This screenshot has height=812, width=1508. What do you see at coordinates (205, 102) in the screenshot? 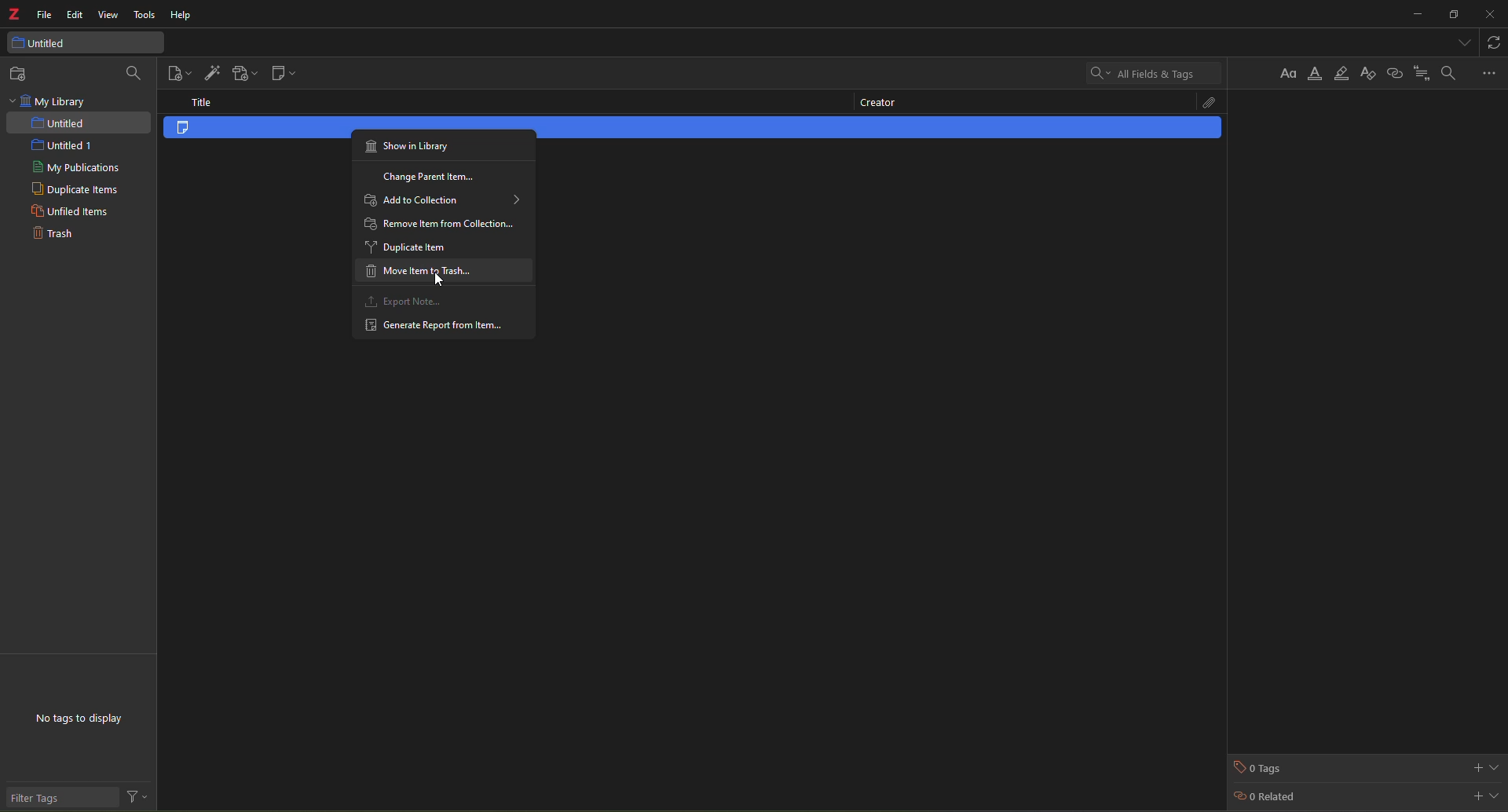
I see `title` at bounding box center [205, 102].